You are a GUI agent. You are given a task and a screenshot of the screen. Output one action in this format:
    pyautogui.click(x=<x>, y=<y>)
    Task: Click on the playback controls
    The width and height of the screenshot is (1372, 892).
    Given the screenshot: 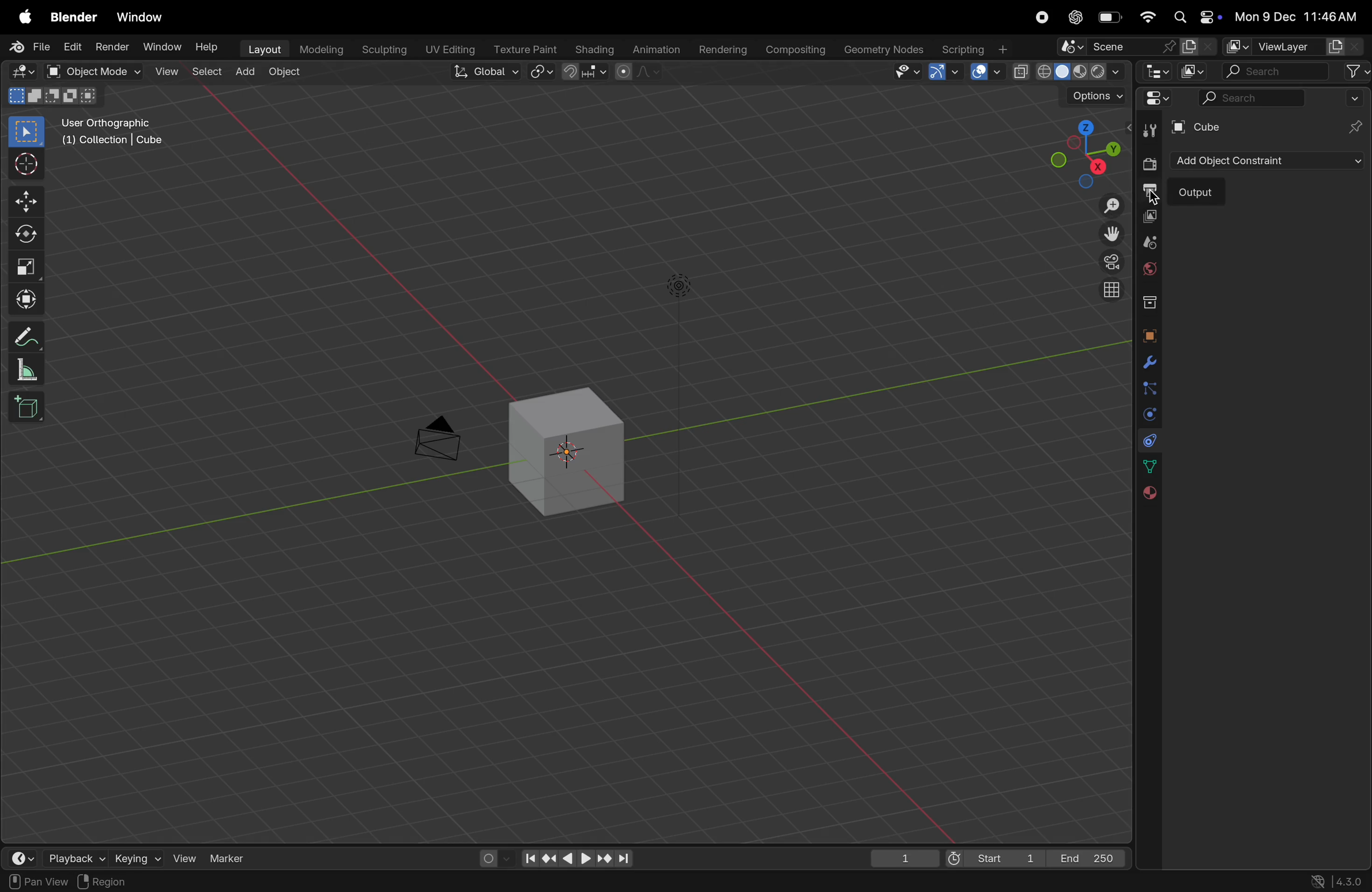 What is the action you would take?
    pyautogui.click(x=578, y=858)
    